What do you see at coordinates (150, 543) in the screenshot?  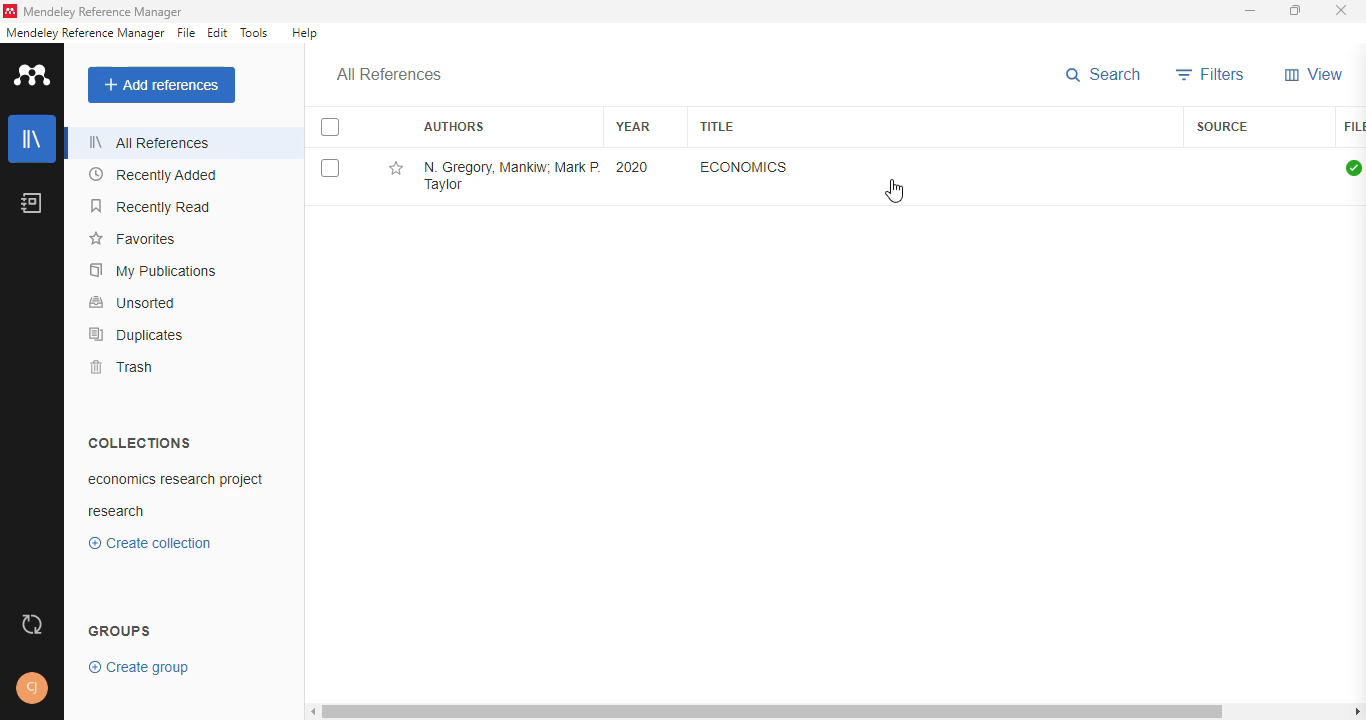 I see `create collection` at bounding box center [150, 543].